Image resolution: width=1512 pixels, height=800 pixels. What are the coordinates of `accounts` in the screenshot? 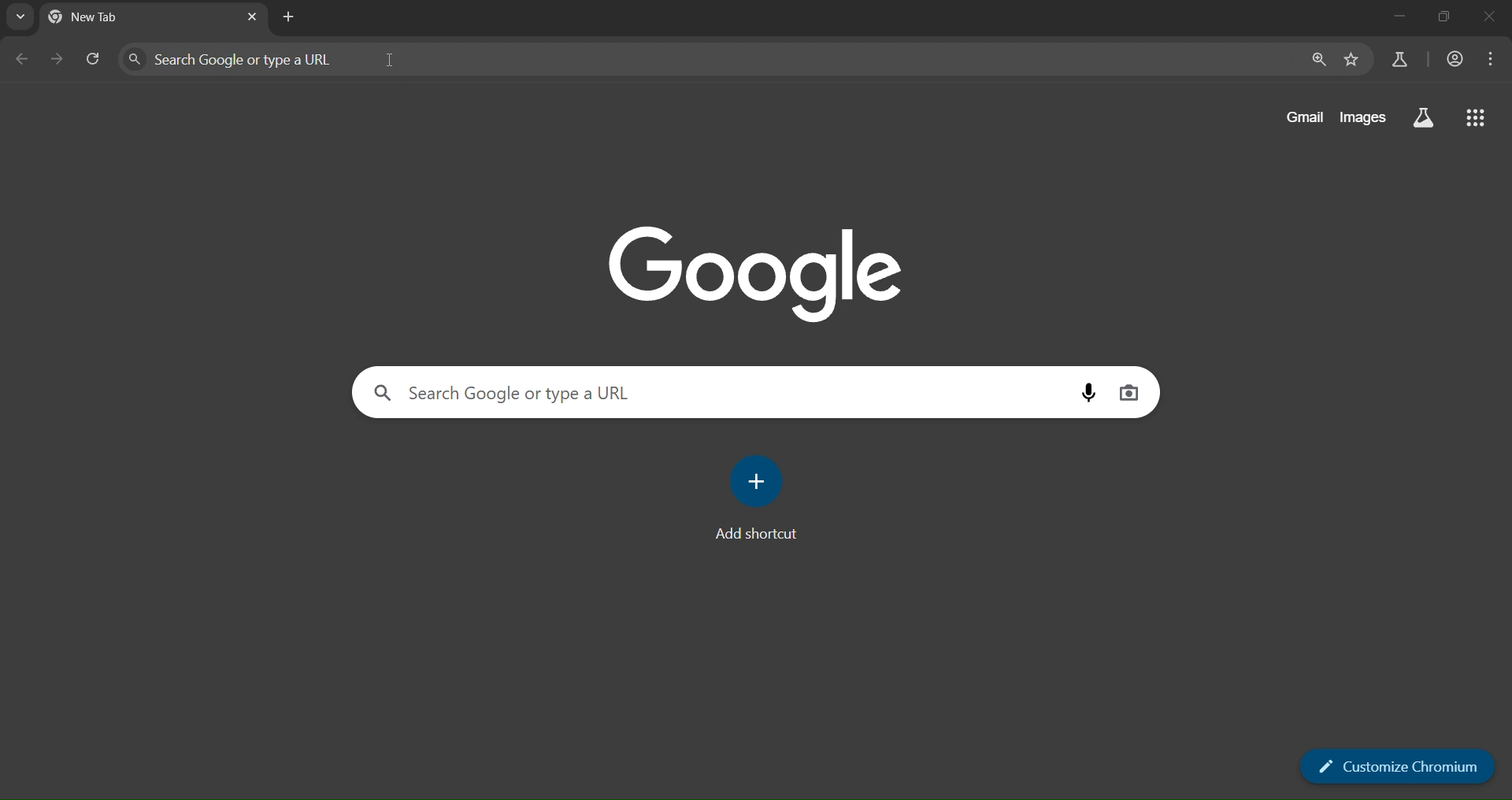 It's located at (1402, 58).